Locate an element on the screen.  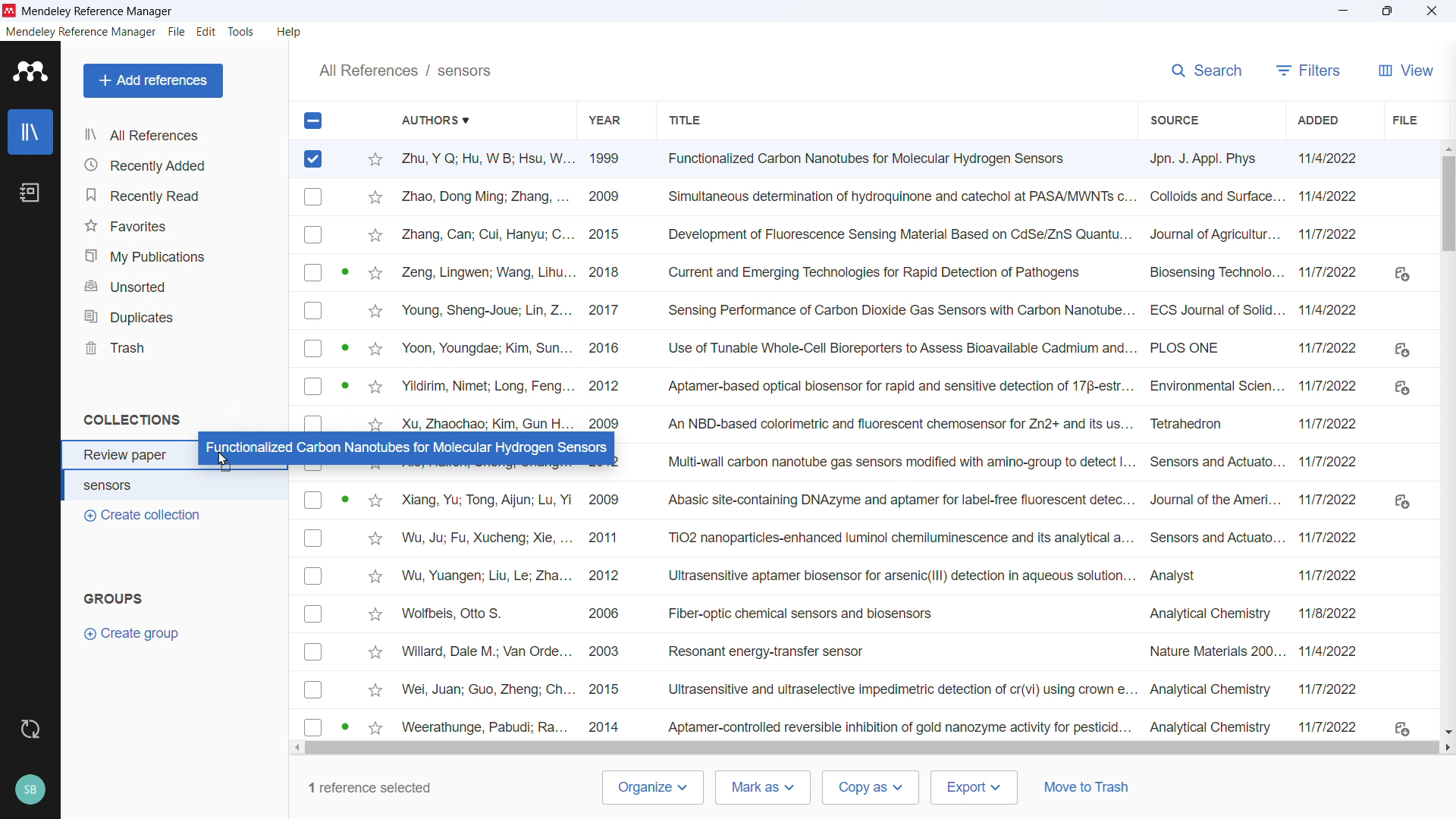
Scroll left  is located at coordinates (296, 748).